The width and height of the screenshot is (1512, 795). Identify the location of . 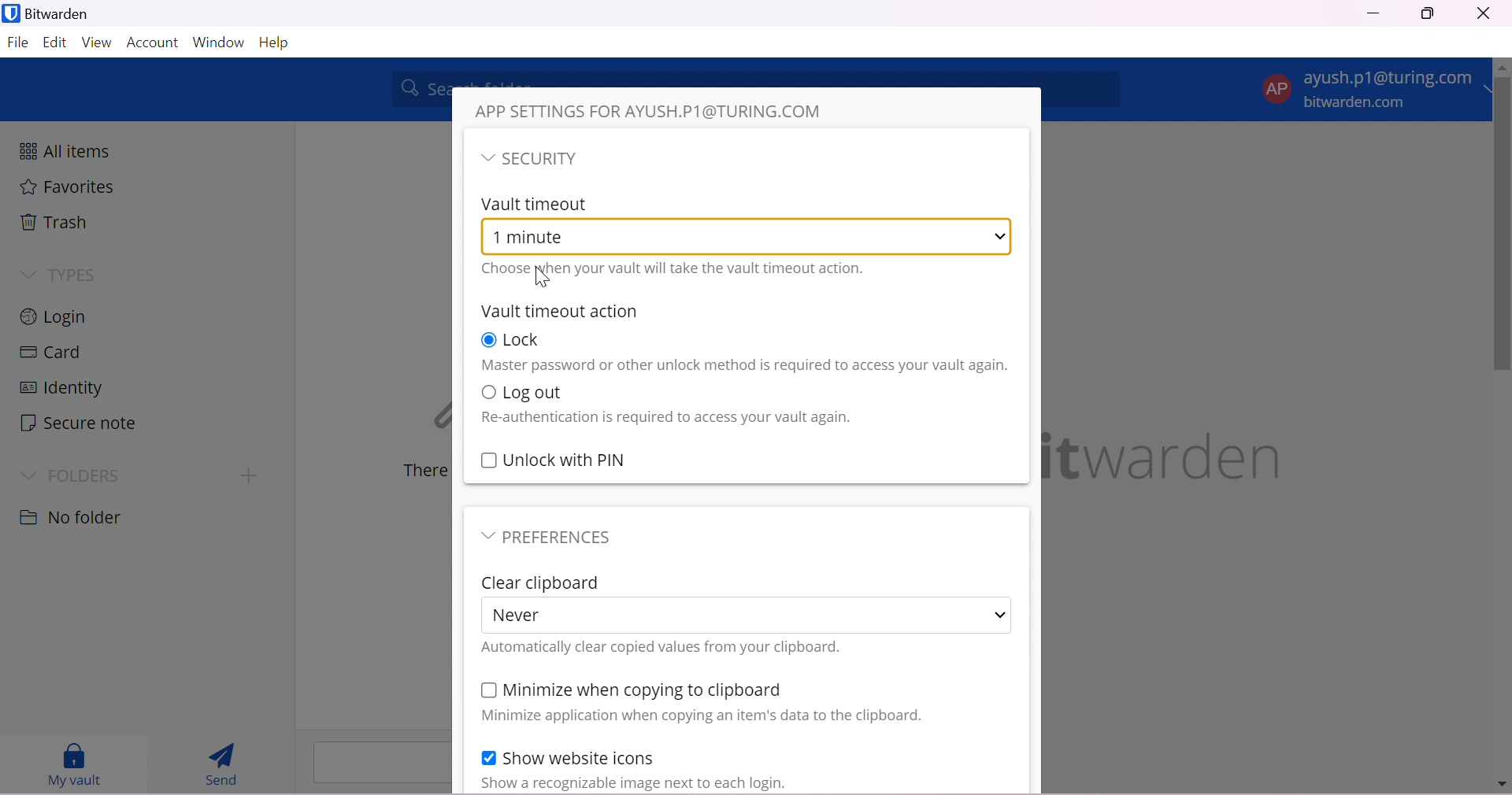
(579, 759).